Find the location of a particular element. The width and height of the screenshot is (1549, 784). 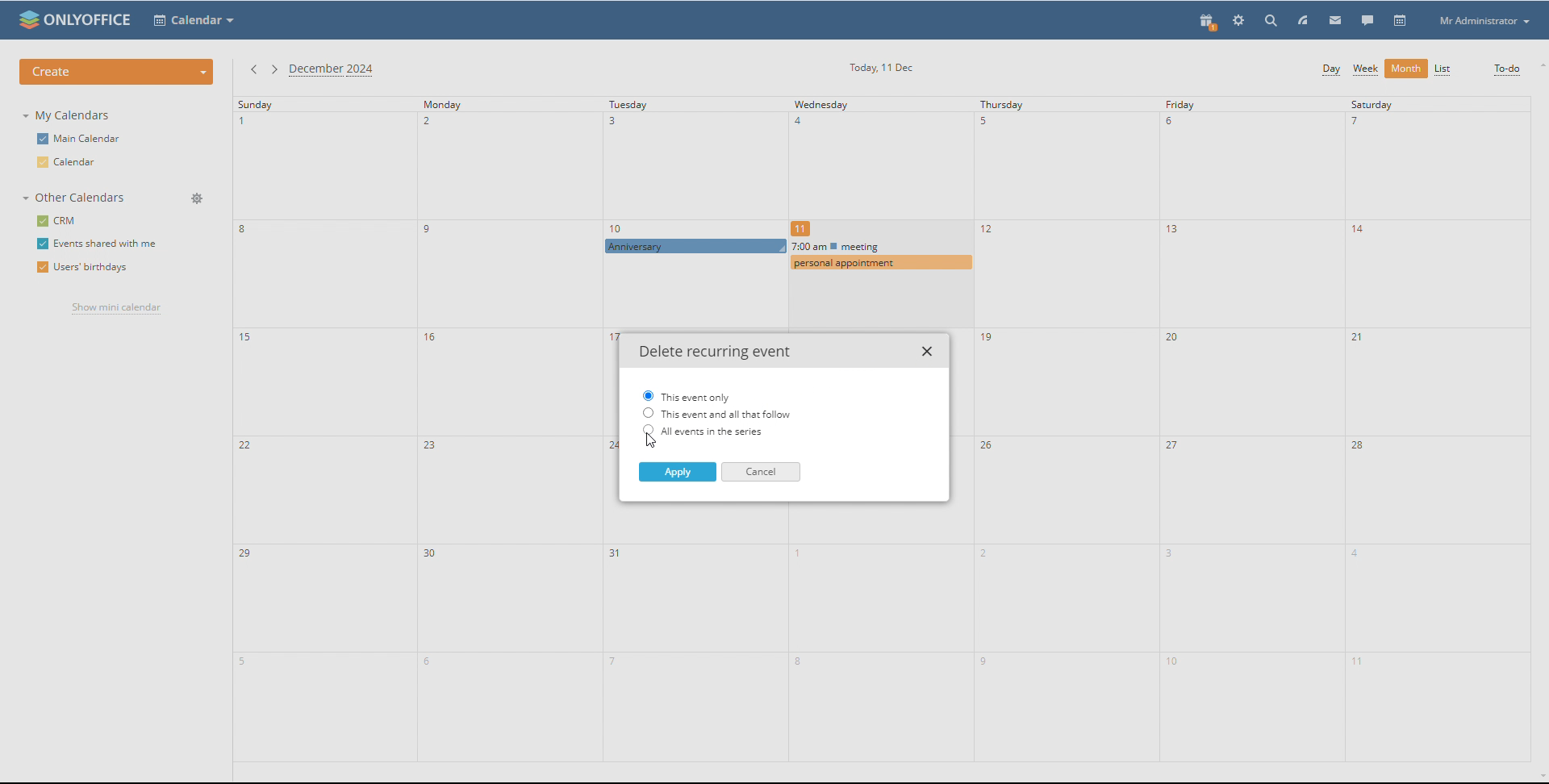

settings is located at coordinates (1239, 21).